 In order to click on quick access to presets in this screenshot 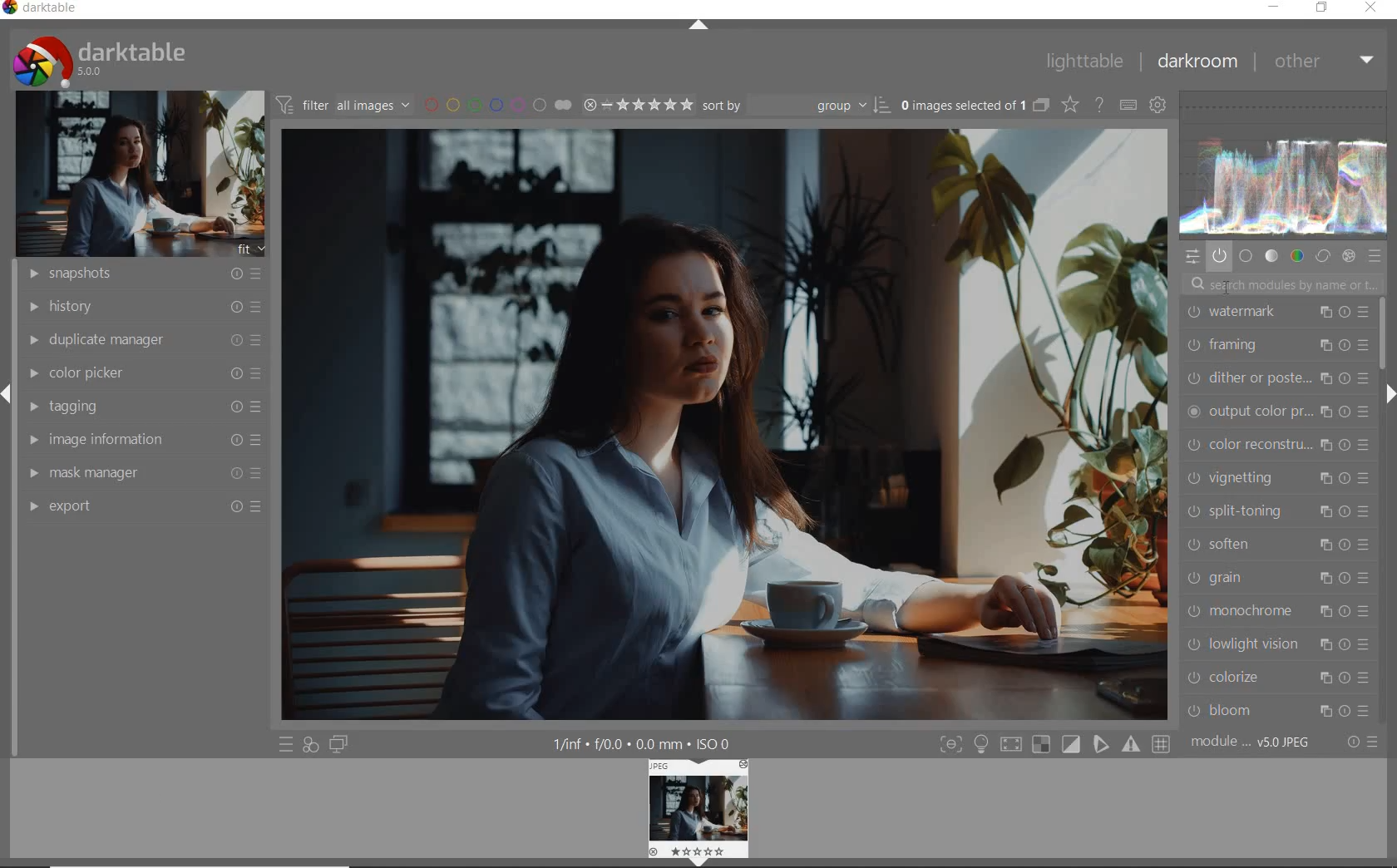, I will do `click(286, 744)`.